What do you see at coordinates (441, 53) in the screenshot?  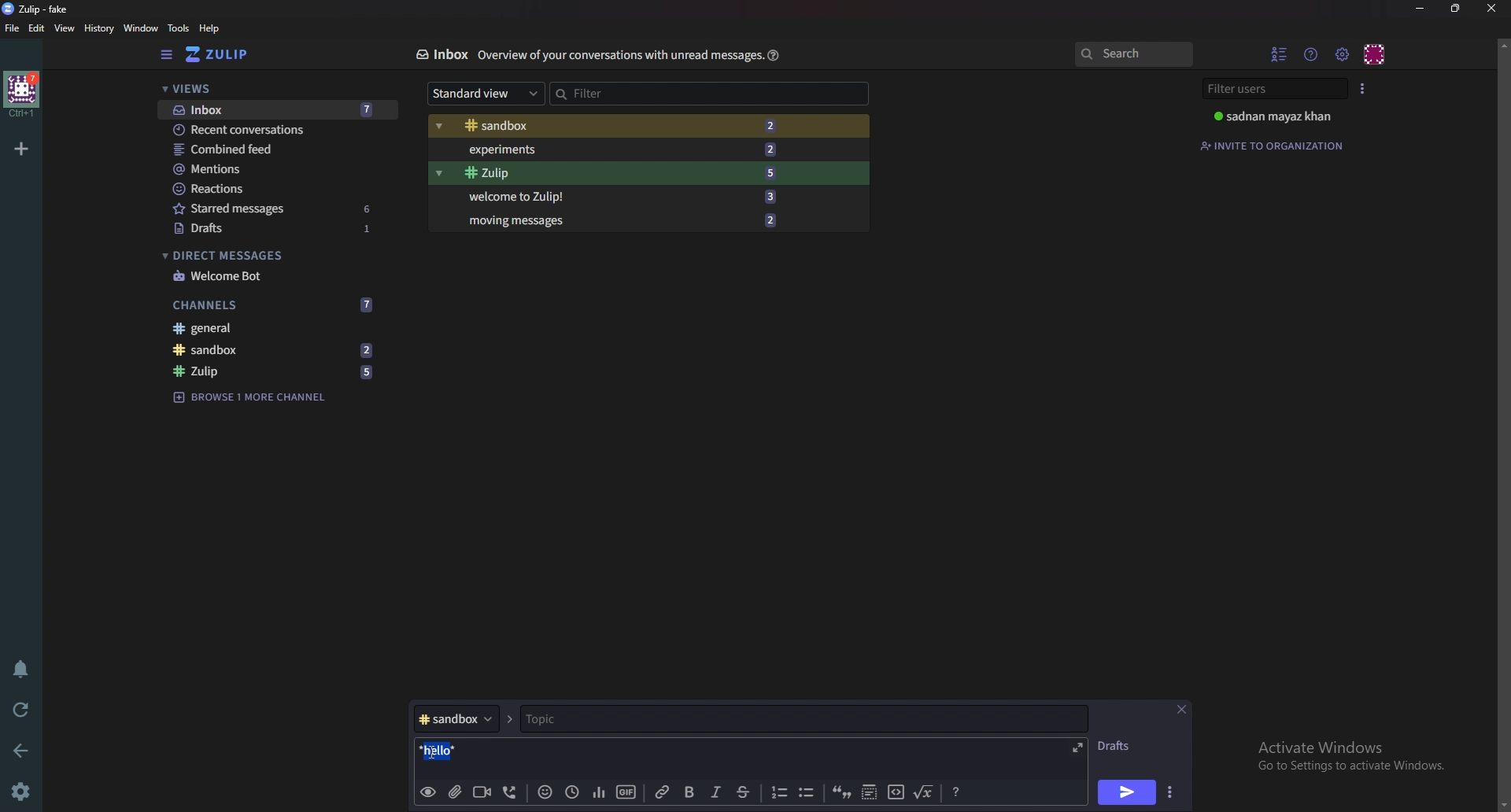 I see `Inbox` at bounding box center [441, 53].